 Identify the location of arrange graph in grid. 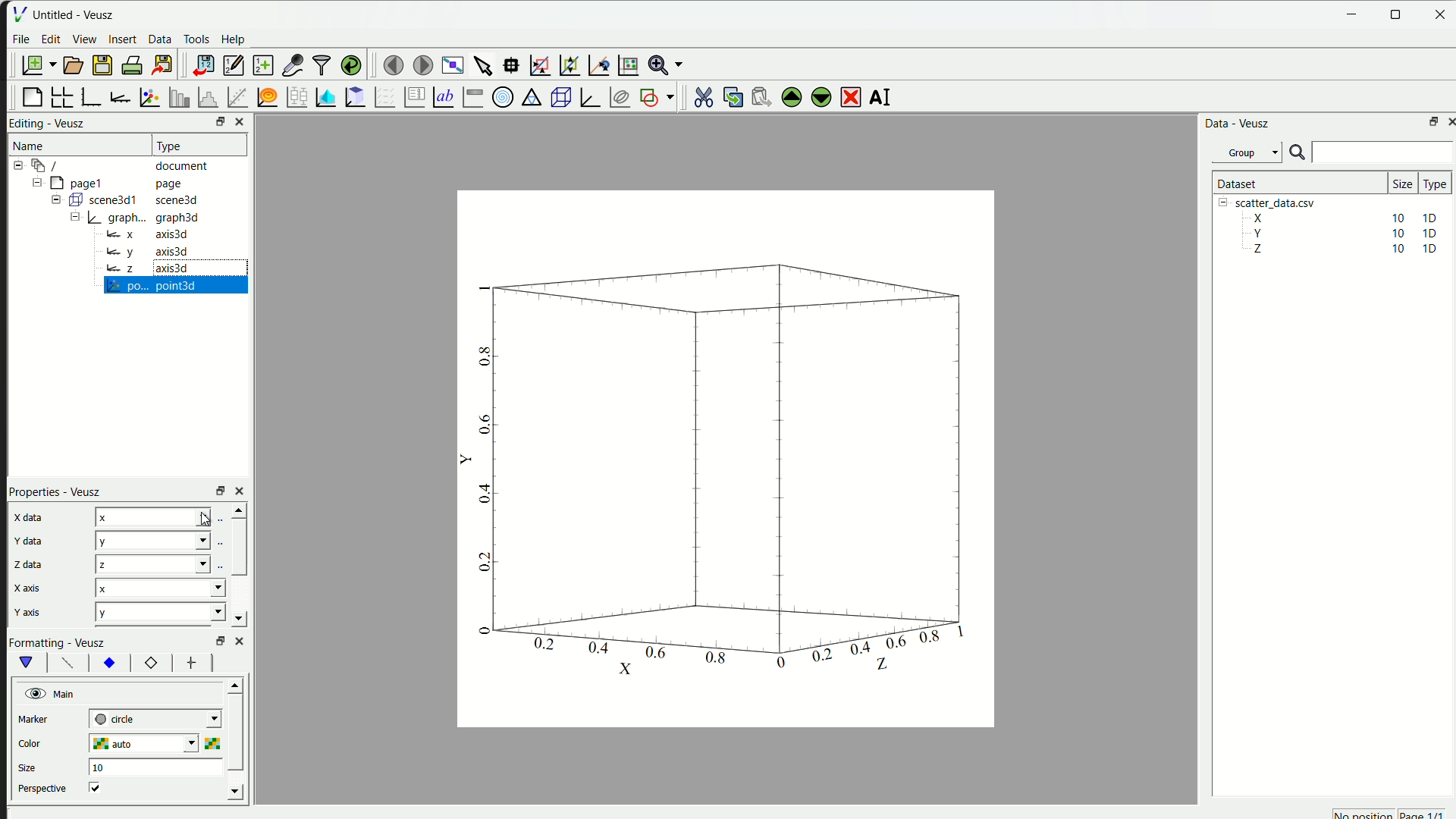
(61, 96).